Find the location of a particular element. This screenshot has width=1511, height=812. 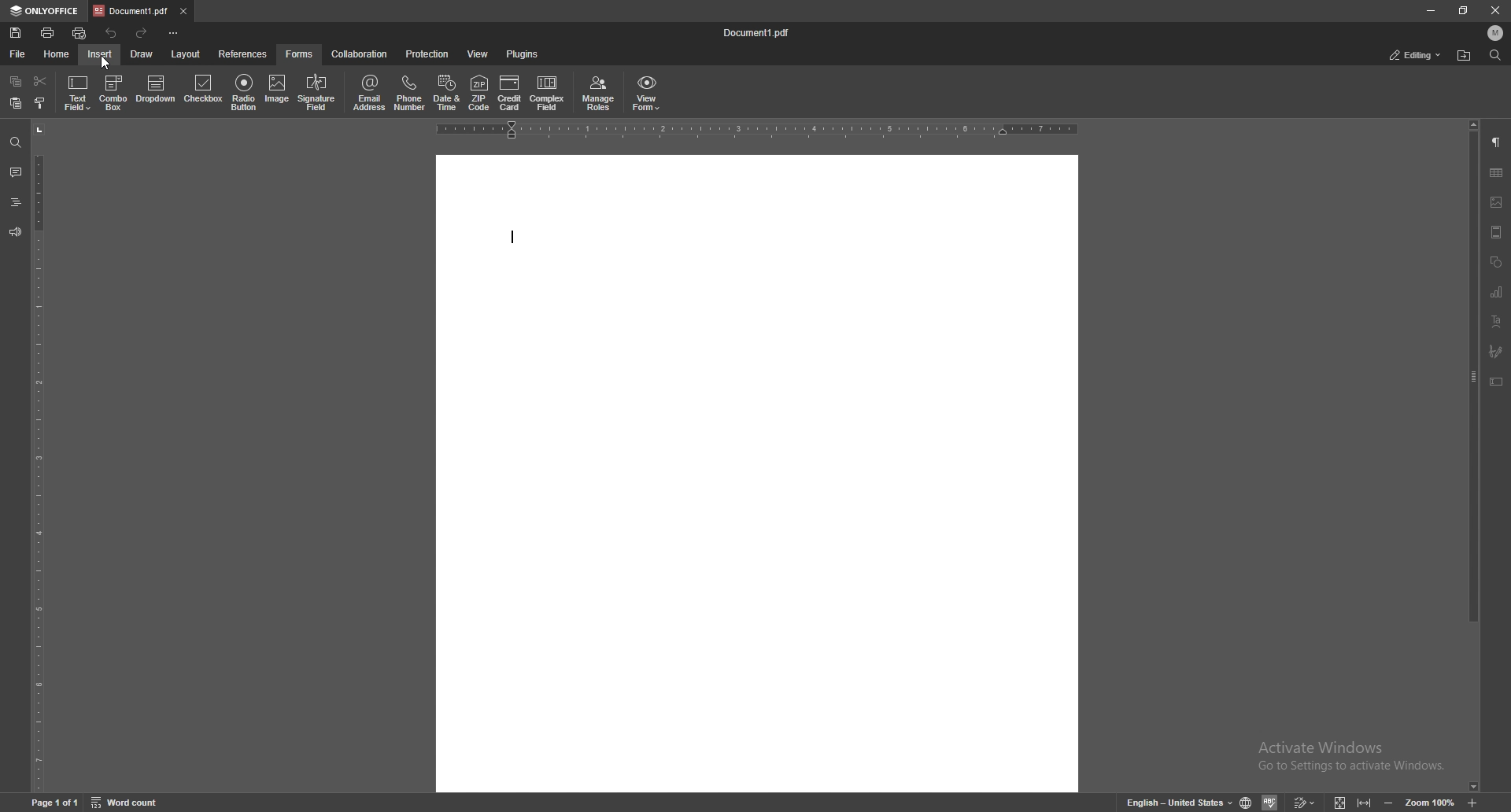

radio button is located at coordinates (244, 93).